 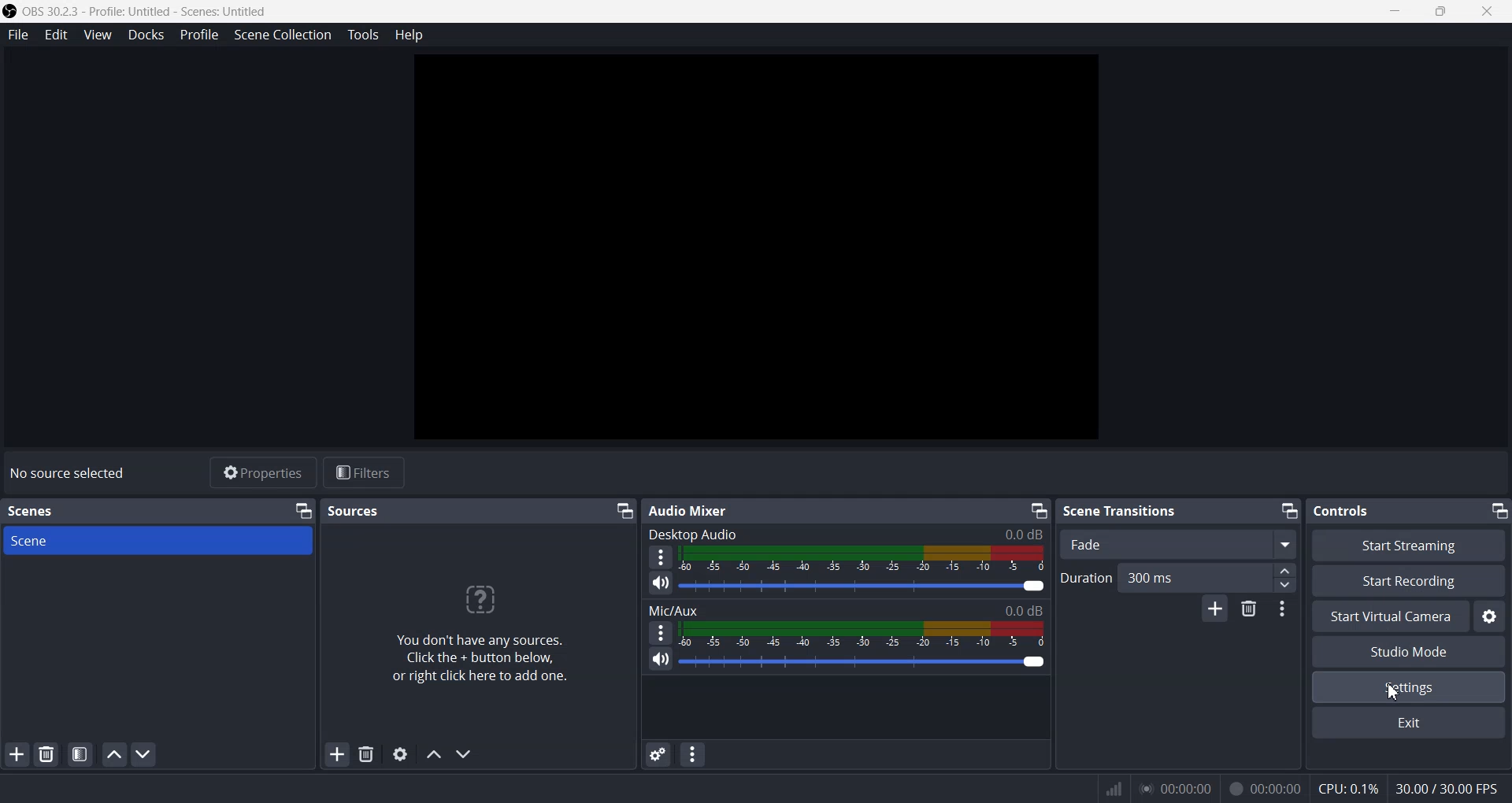 I want to click on Fade, so click(x=1175, y=544).